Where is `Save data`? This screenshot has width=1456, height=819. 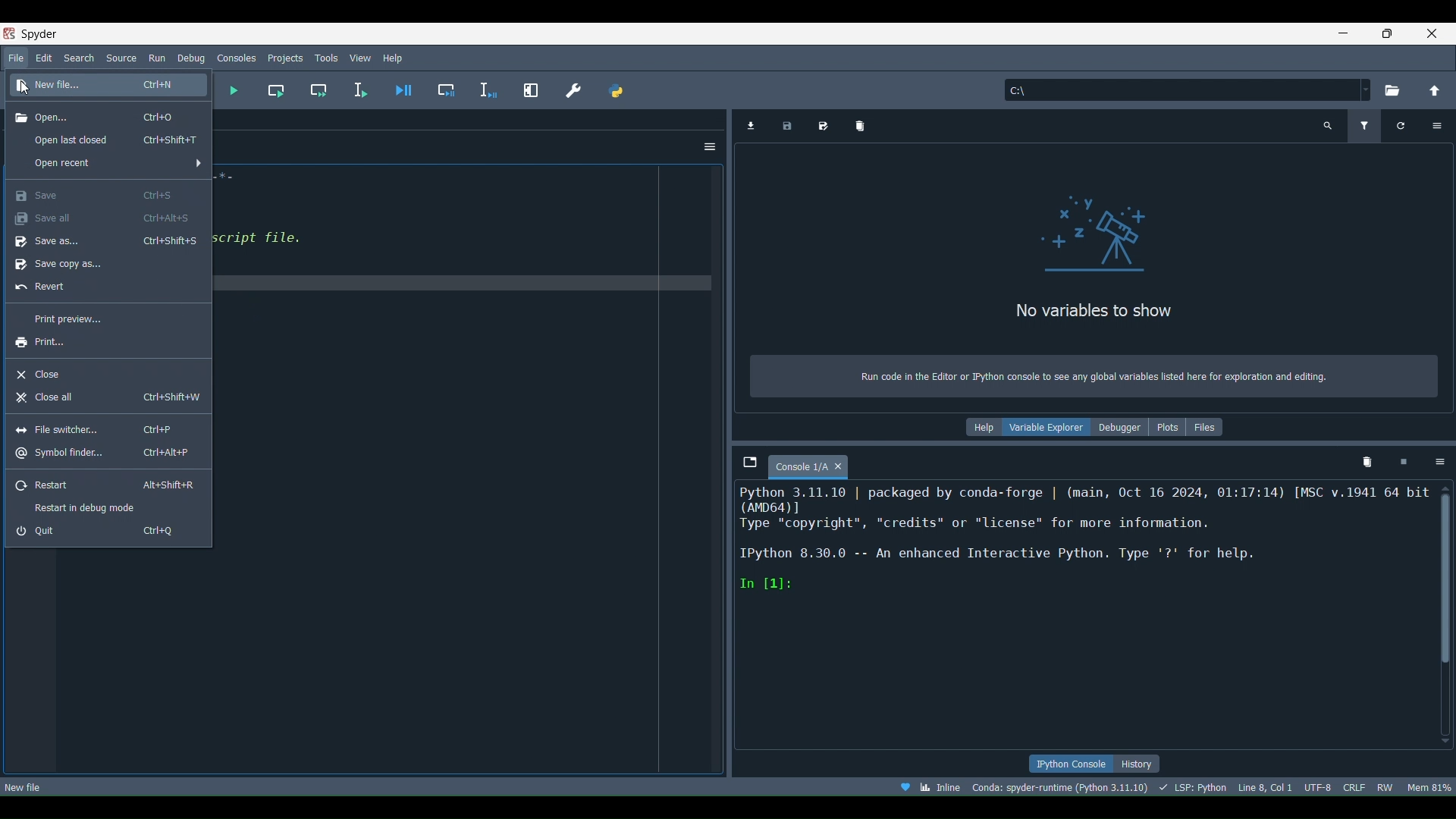
Save data is located at coordinates (787, 127).